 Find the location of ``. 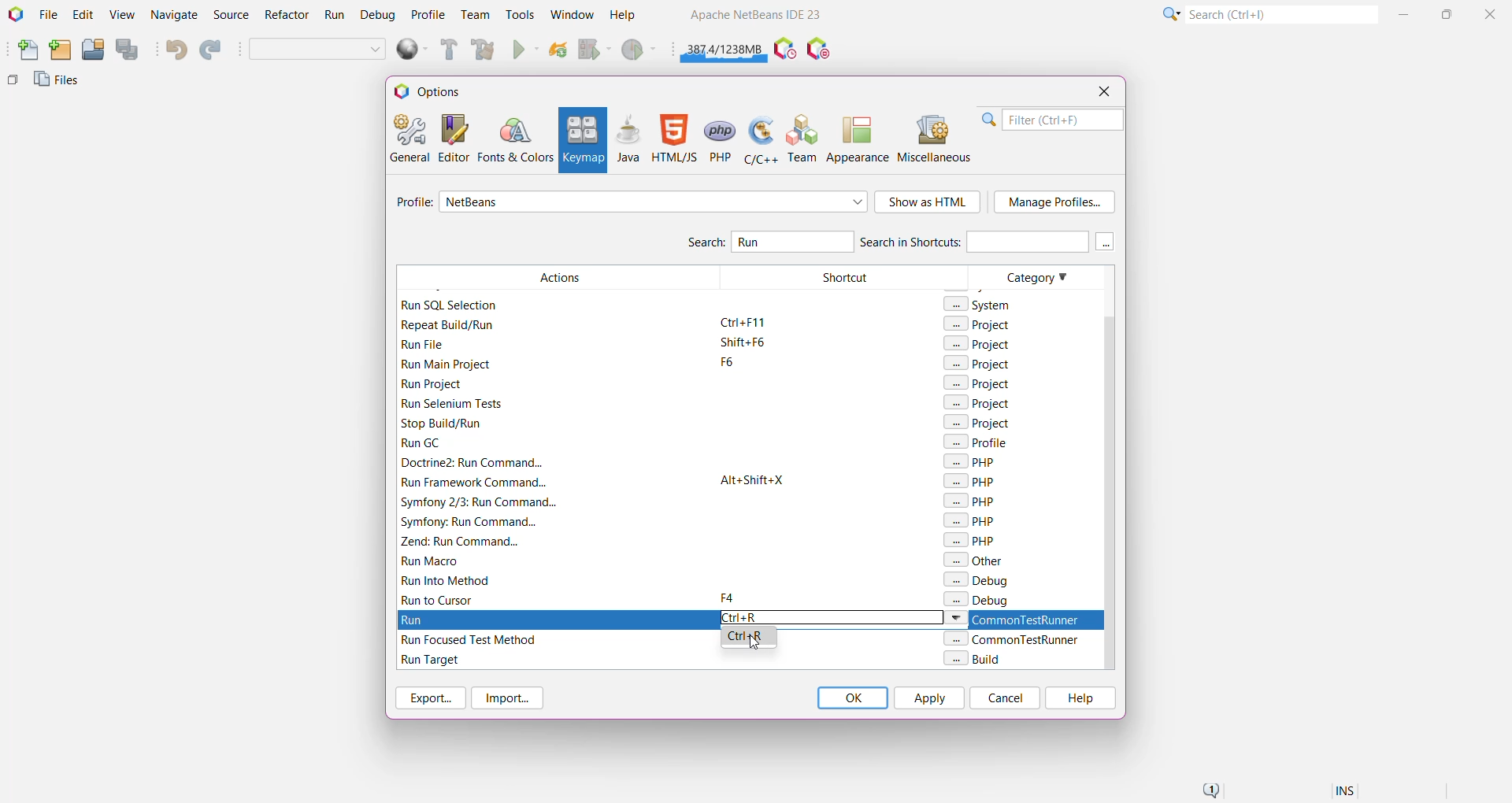

 is located at coordinates (412, 50).